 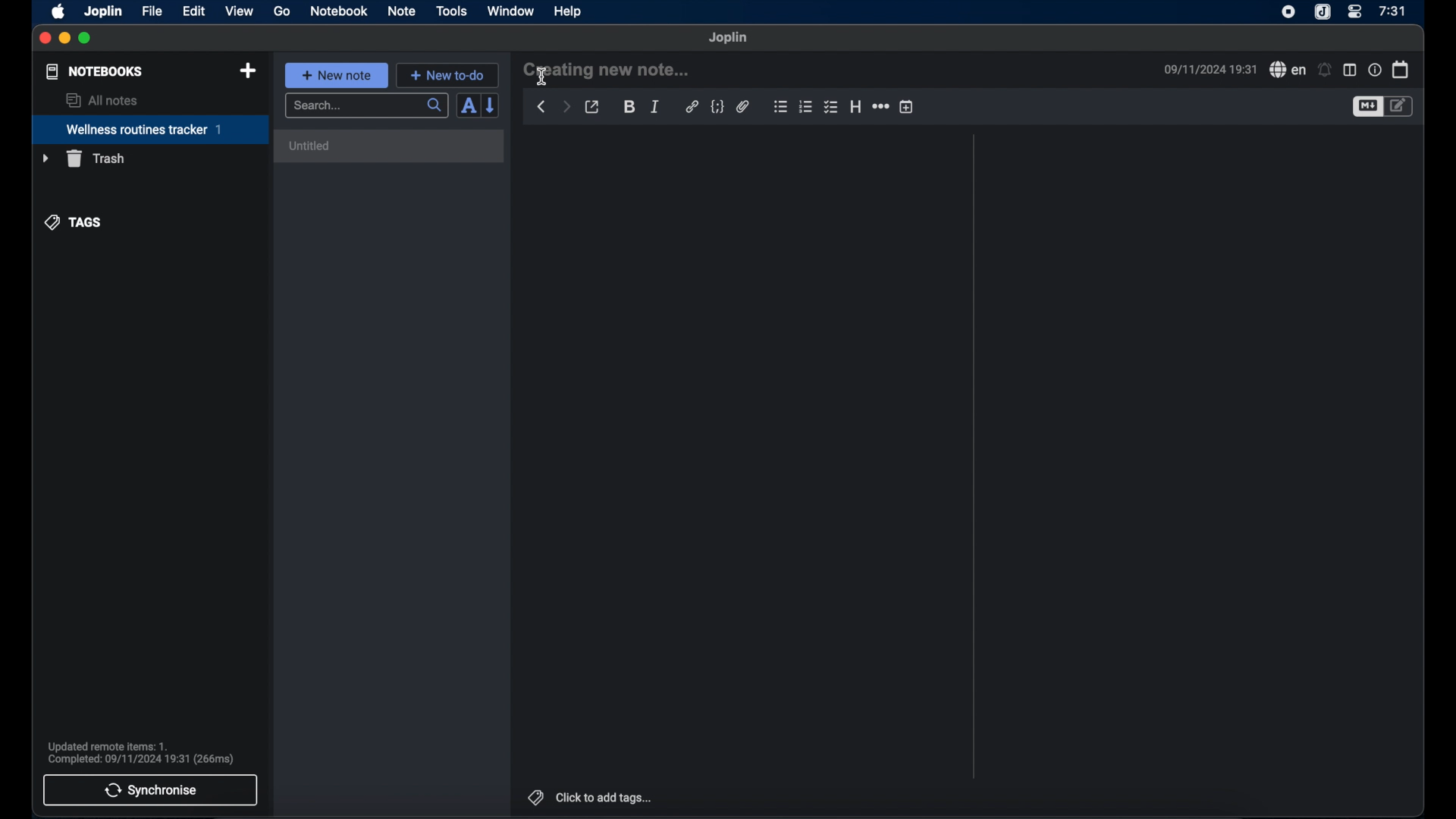 I want to click on attach file, so click(x=743, y=108).